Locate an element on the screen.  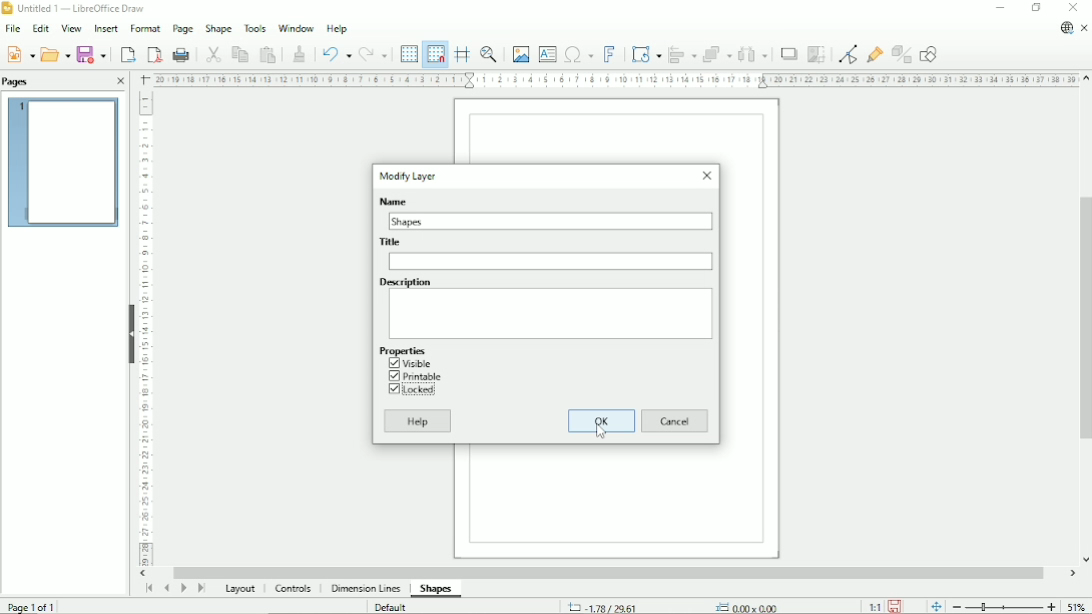
Format is located at coordinates (145, 29).